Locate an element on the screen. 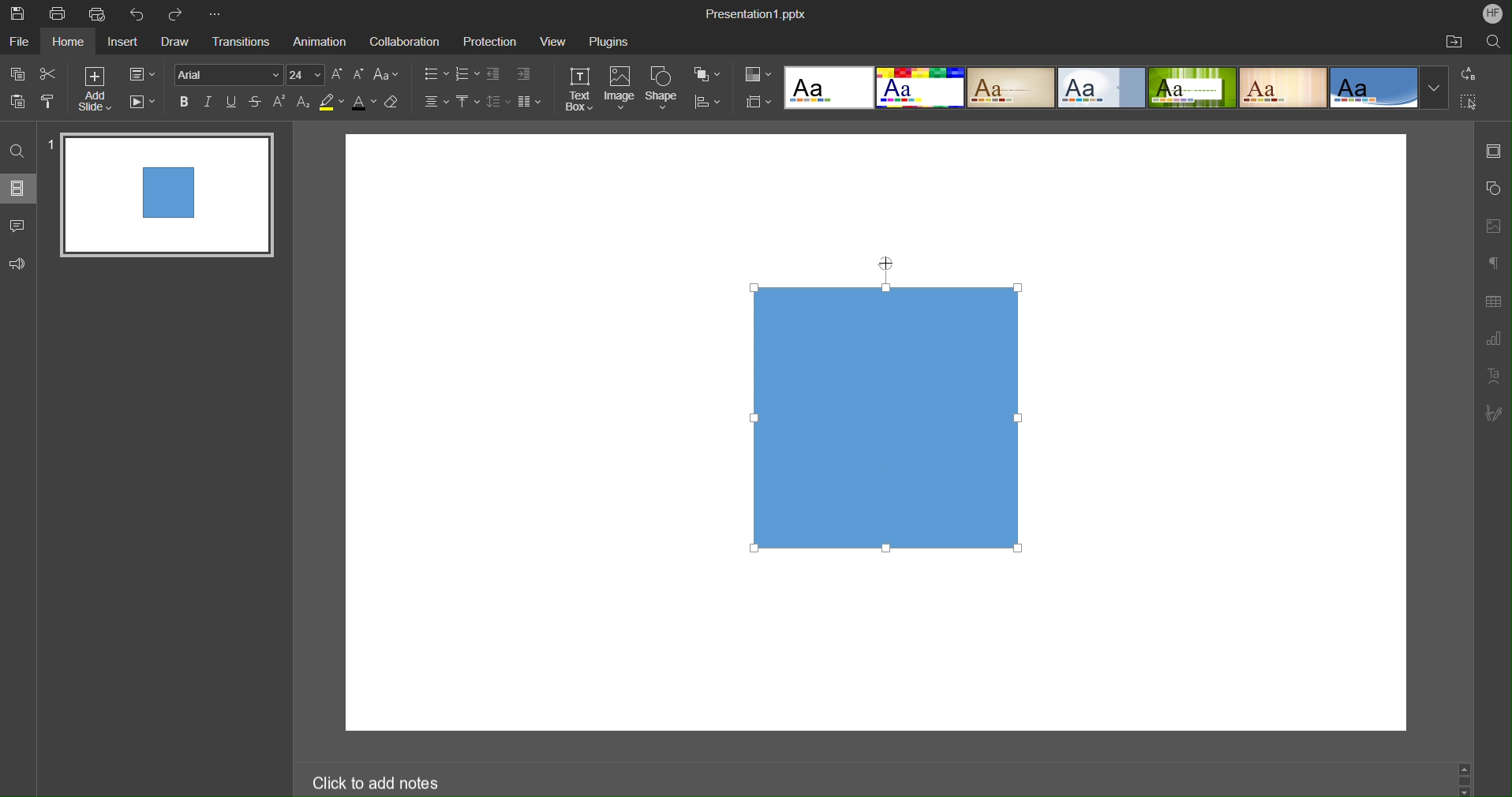 The image size is (1512, 797). Collaboration is located at coordinates (402, 39).